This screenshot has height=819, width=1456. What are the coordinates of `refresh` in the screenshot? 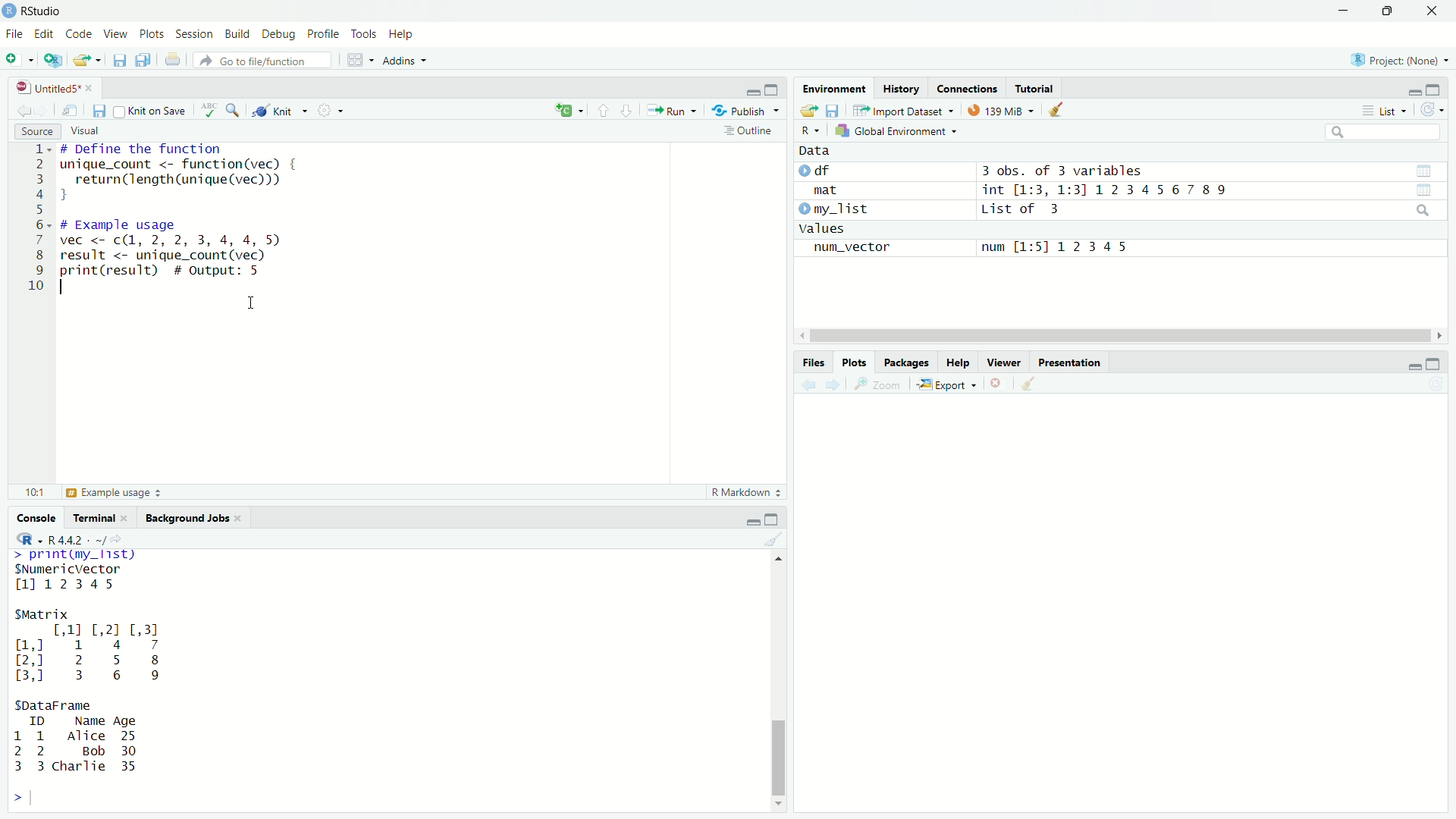 It's located at (1432, 111).